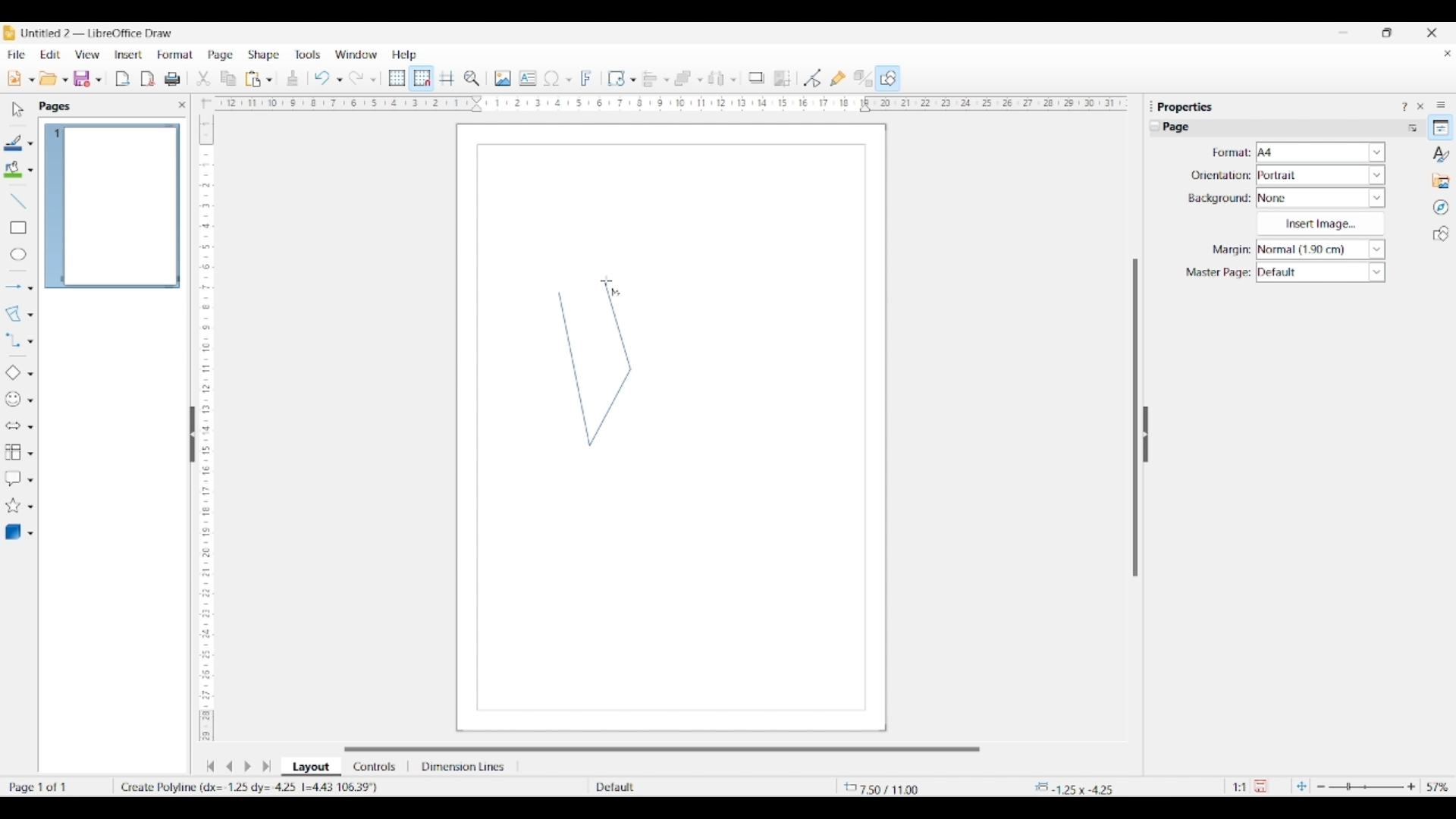 The image size is (1456, 819). I want to click on Line color options, so click(30, 144).